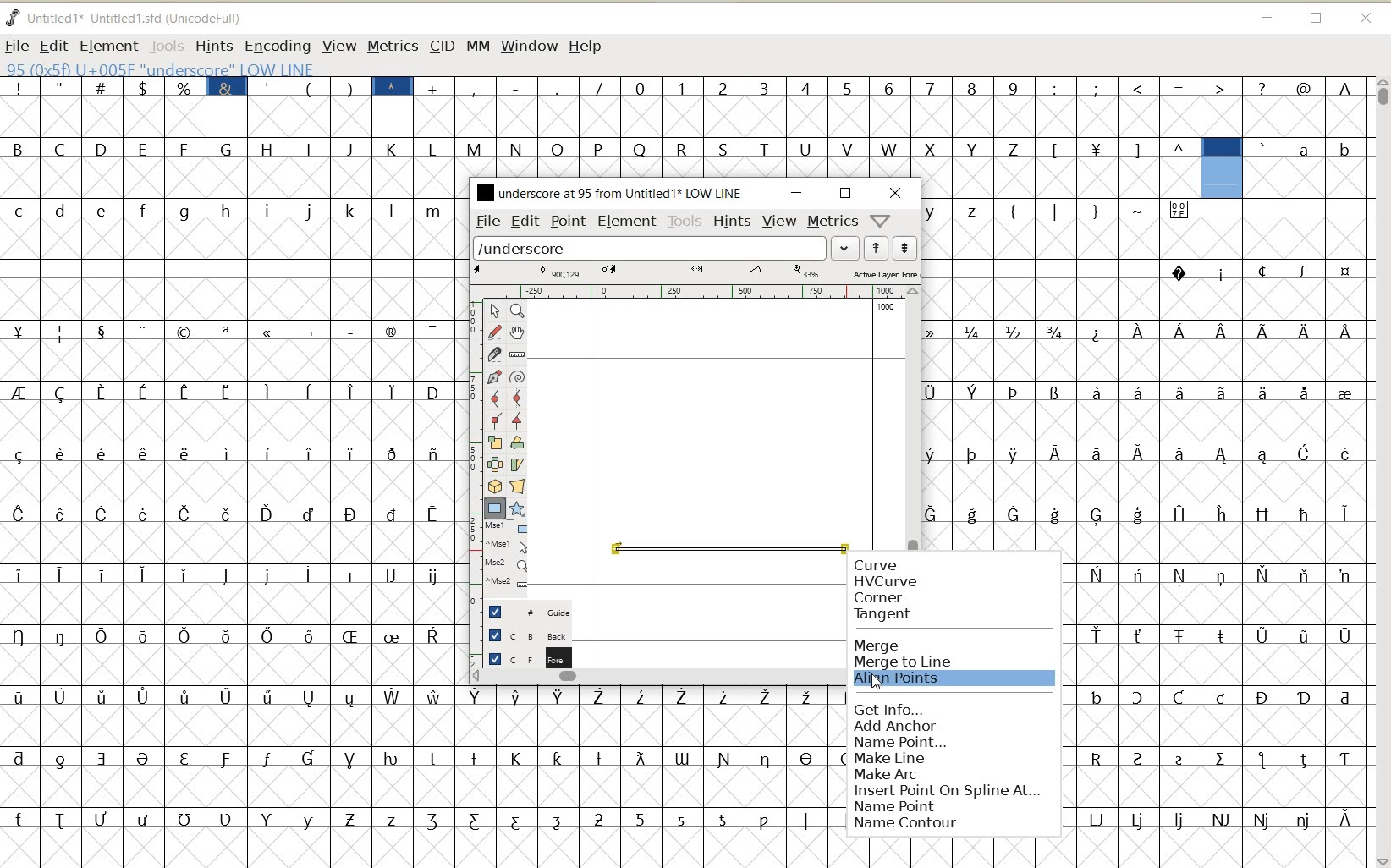 This screenshot has width=1391, height=868. Describe the element at coordinates (336, 45) in the screenshot. I see `VIEW` at that location.